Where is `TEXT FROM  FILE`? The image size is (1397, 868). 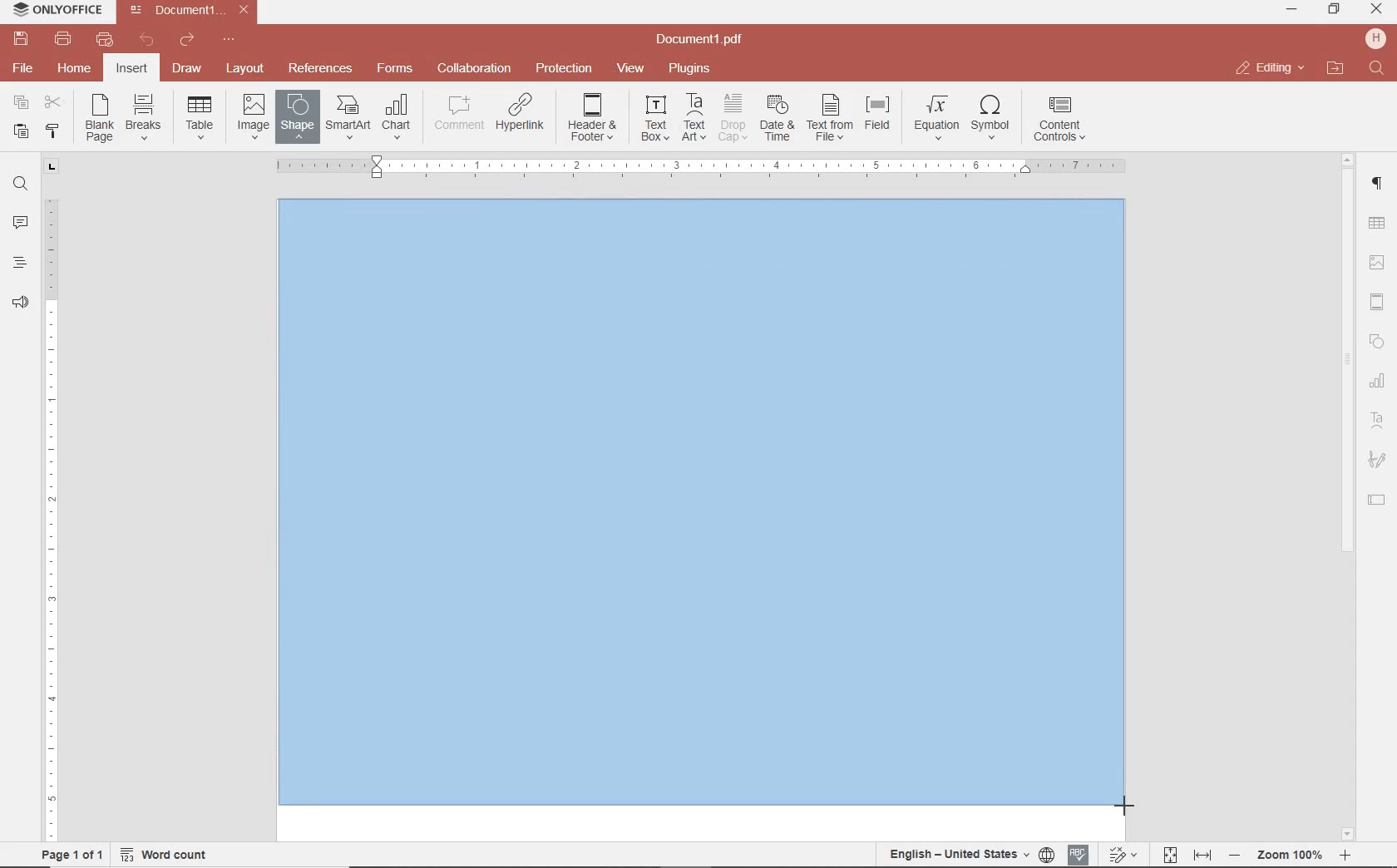
TEXT FROM  FILE is located at coordinates (830, 118).